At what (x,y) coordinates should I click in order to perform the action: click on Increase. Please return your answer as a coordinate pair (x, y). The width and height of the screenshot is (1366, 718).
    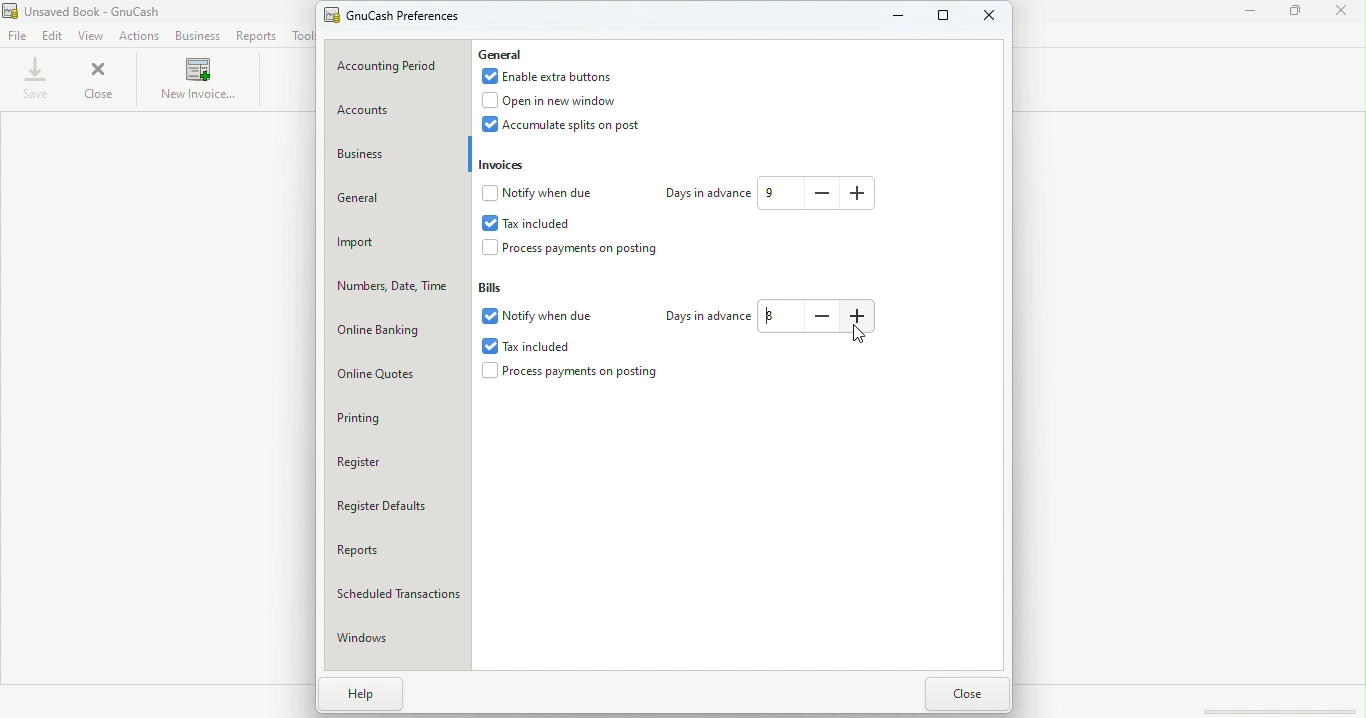
    Looking at the image, I should click on (862, 318).